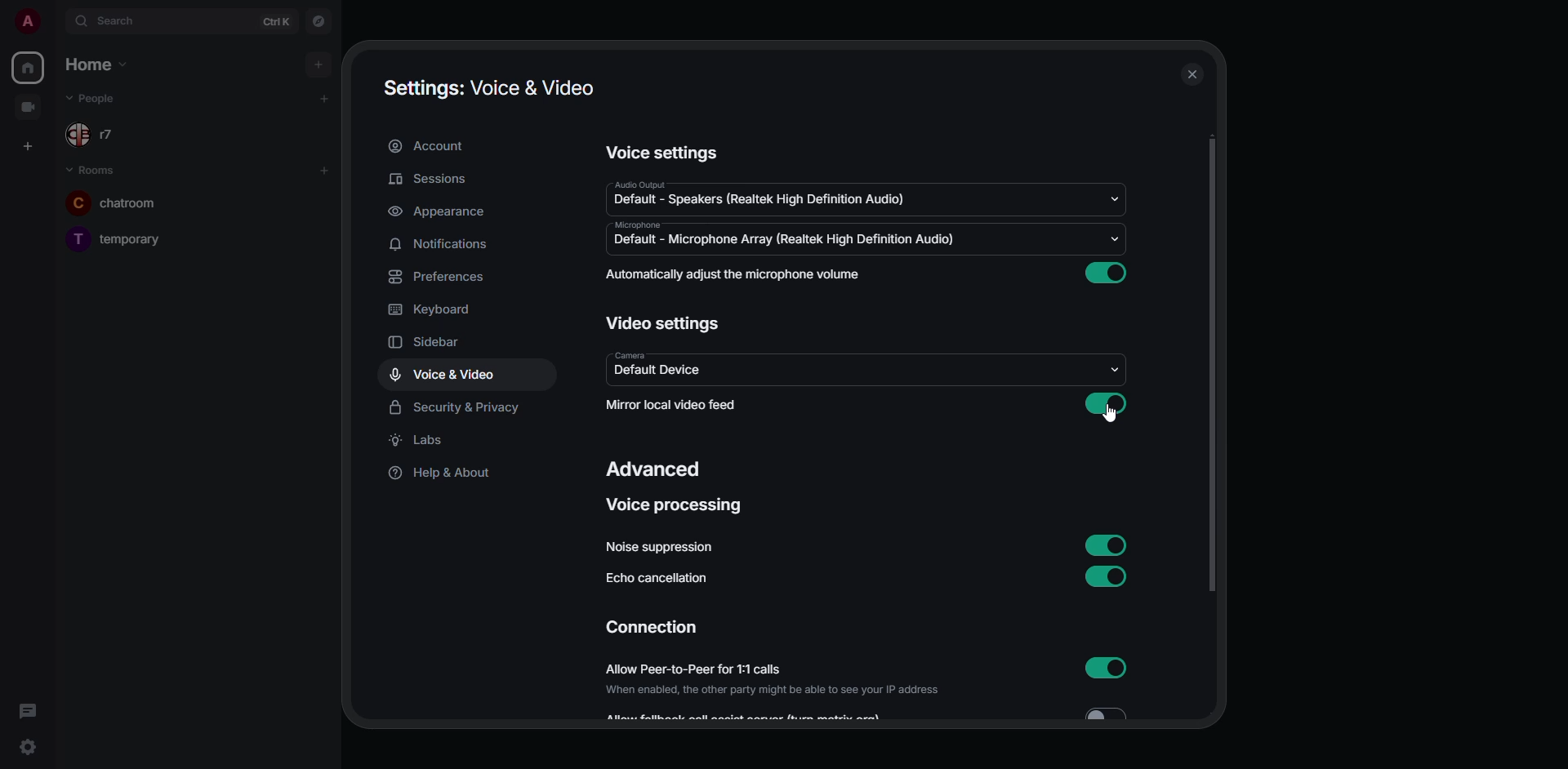 This screenshot has height=769, width=1568. I want to click on appearance, so click(438, 213).